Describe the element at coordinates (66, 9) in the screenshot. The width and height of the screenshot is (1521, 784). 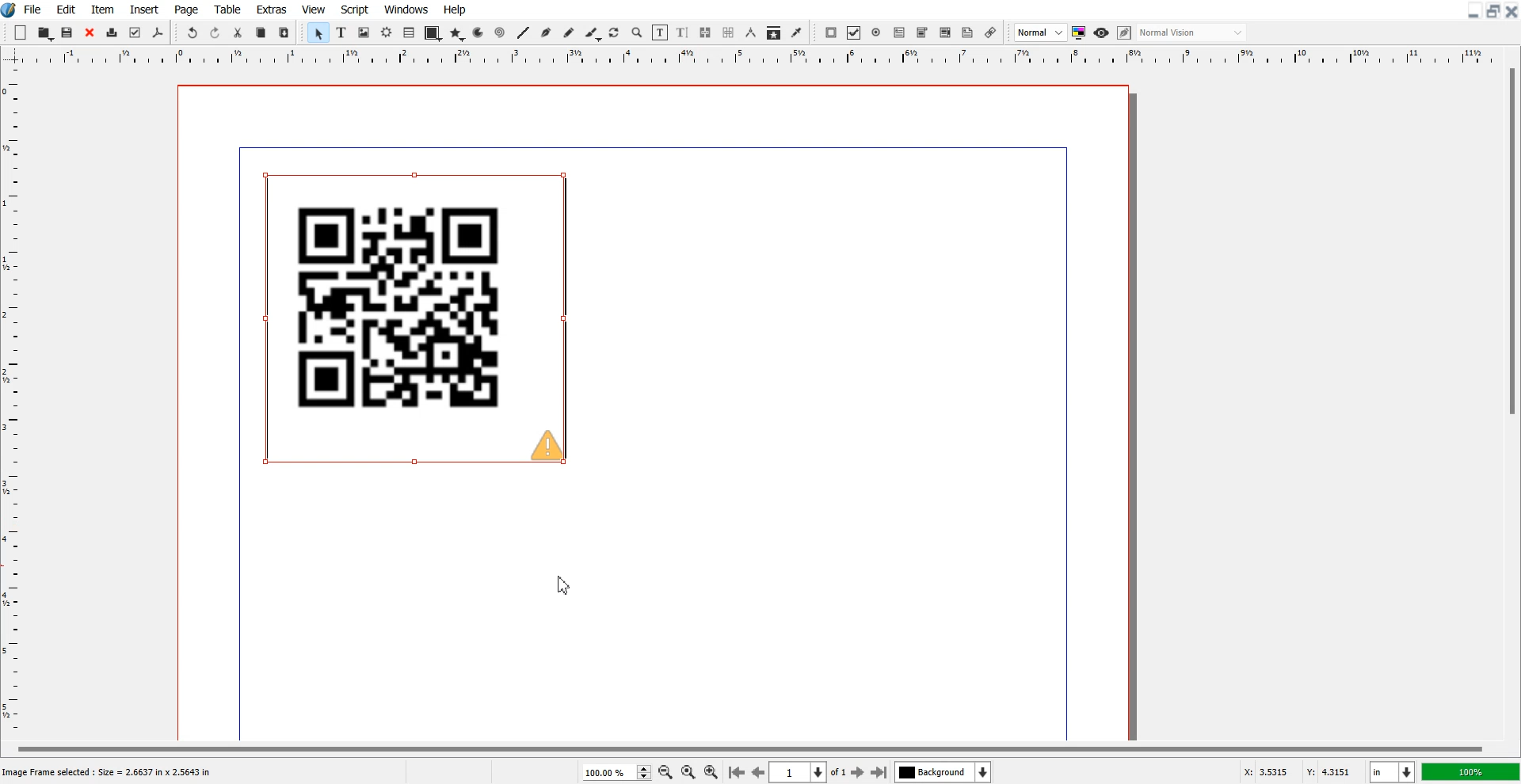
I see `Edit` at that location.